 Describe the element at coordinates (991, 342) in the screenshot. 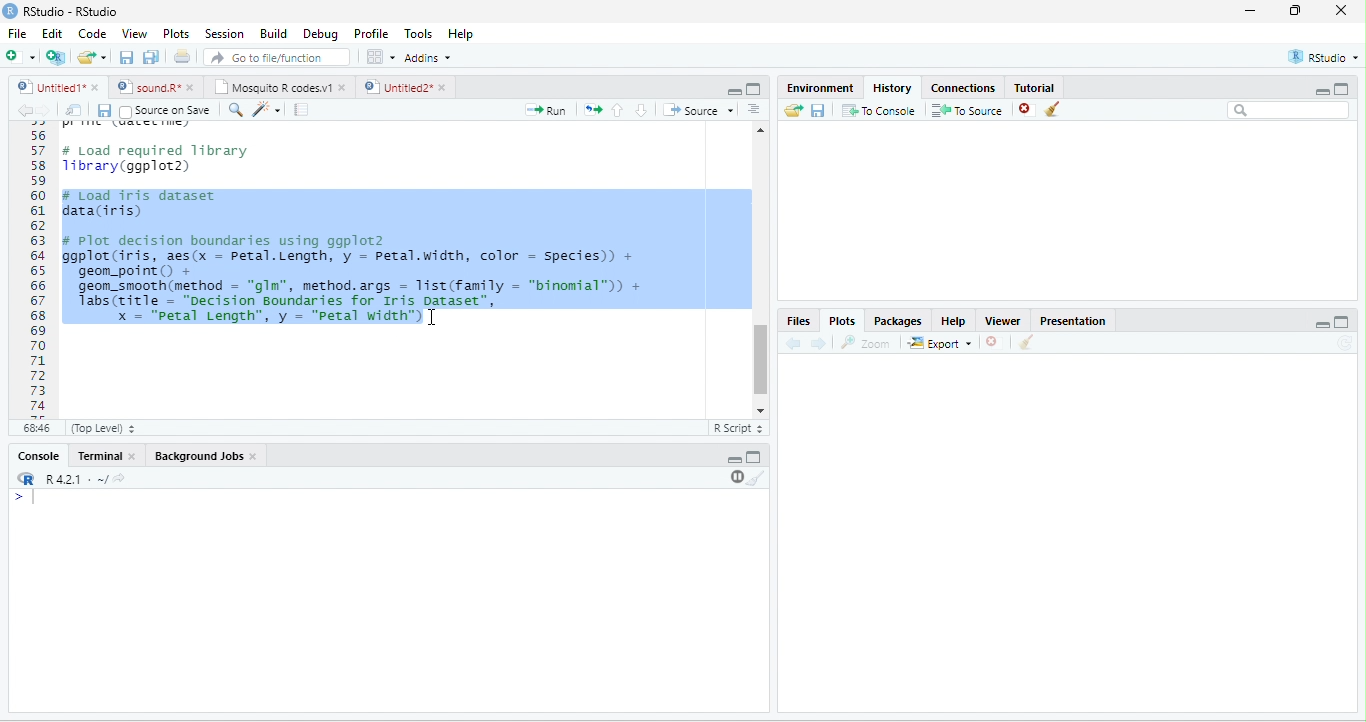

I see `close` at that location.